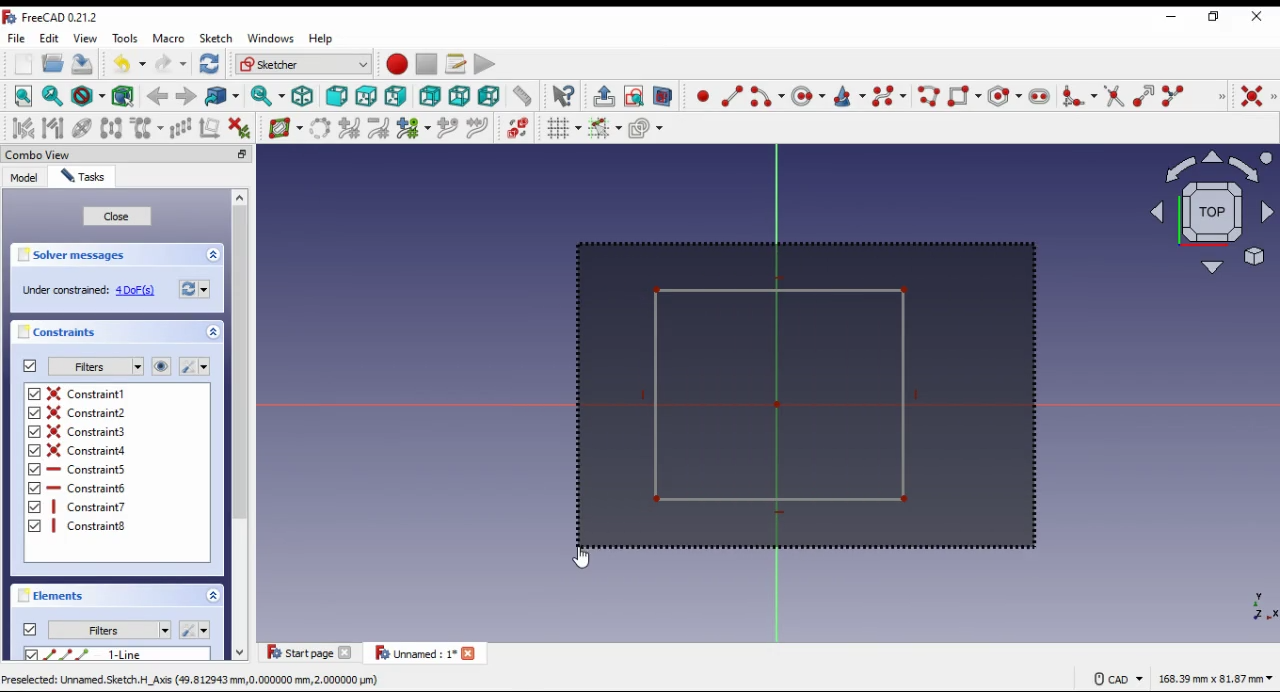  Describe the element at coordinates (54, 17) in the screenshot. I see `icon and window name` at that location.